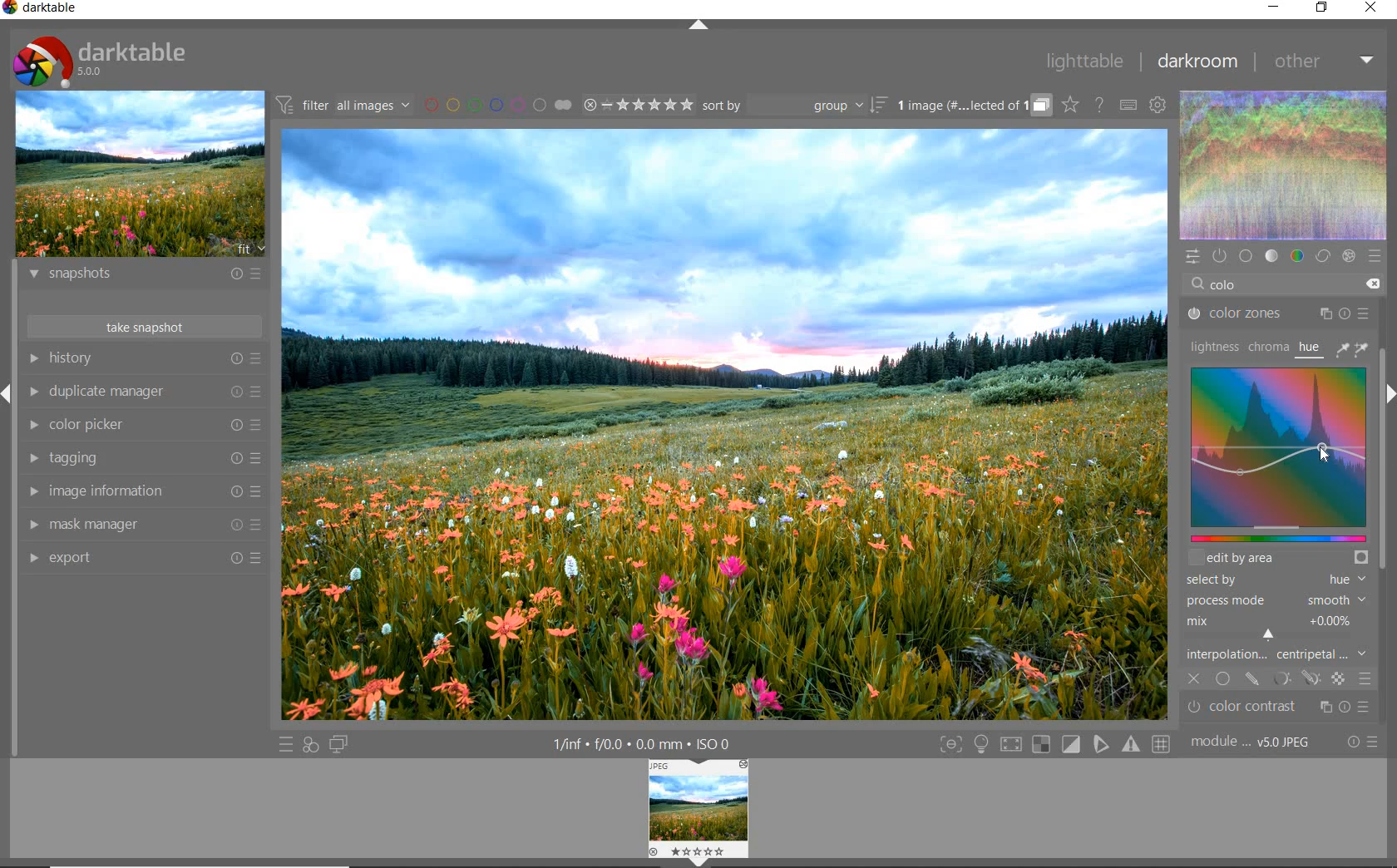  What do you see at coordinates (1276, 538) in the screenshot?
I see `slider` at bounding box center [1276, 538].